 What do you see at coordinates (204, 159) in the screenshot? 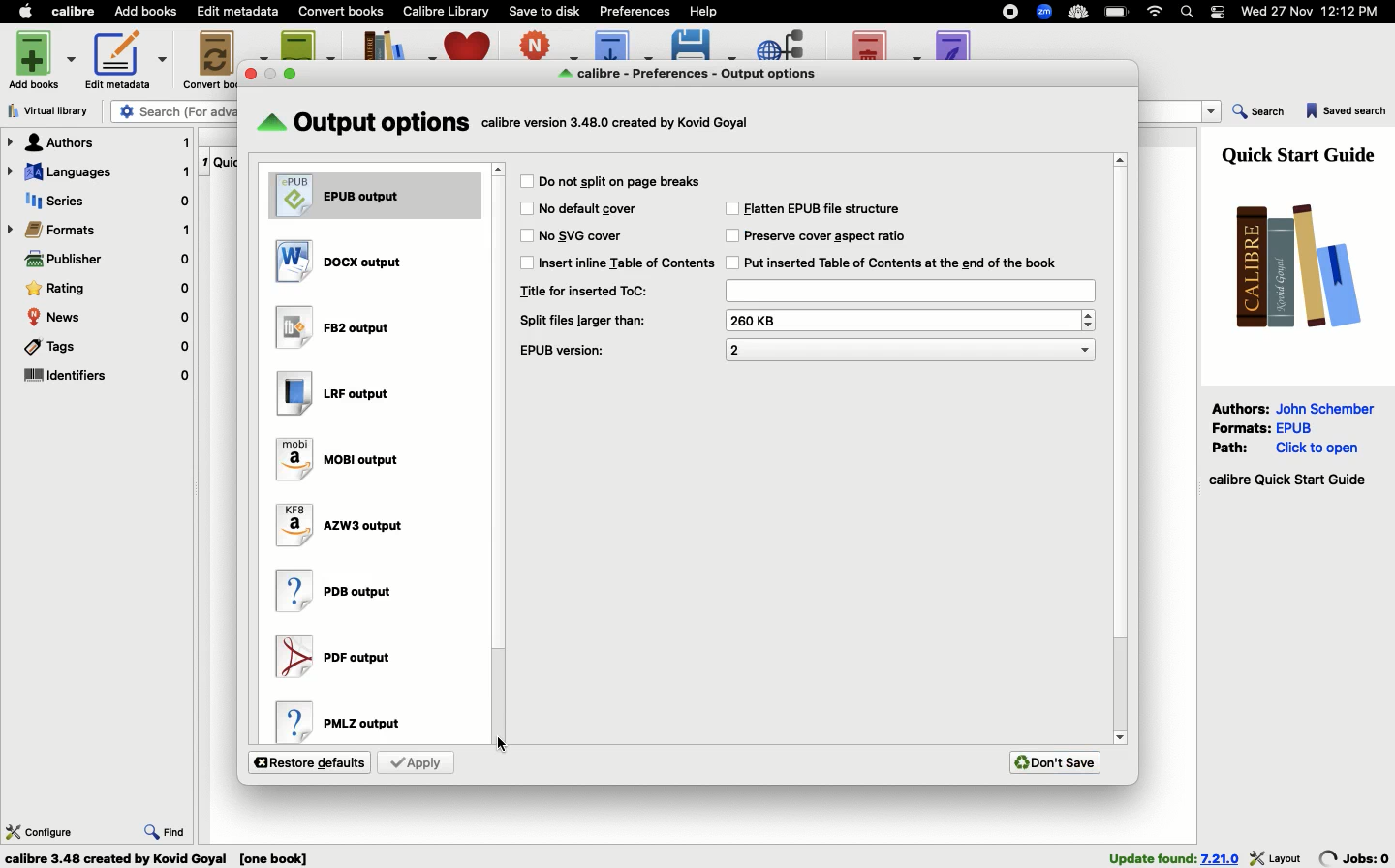
I see `1` at bounding box center [204, 159].